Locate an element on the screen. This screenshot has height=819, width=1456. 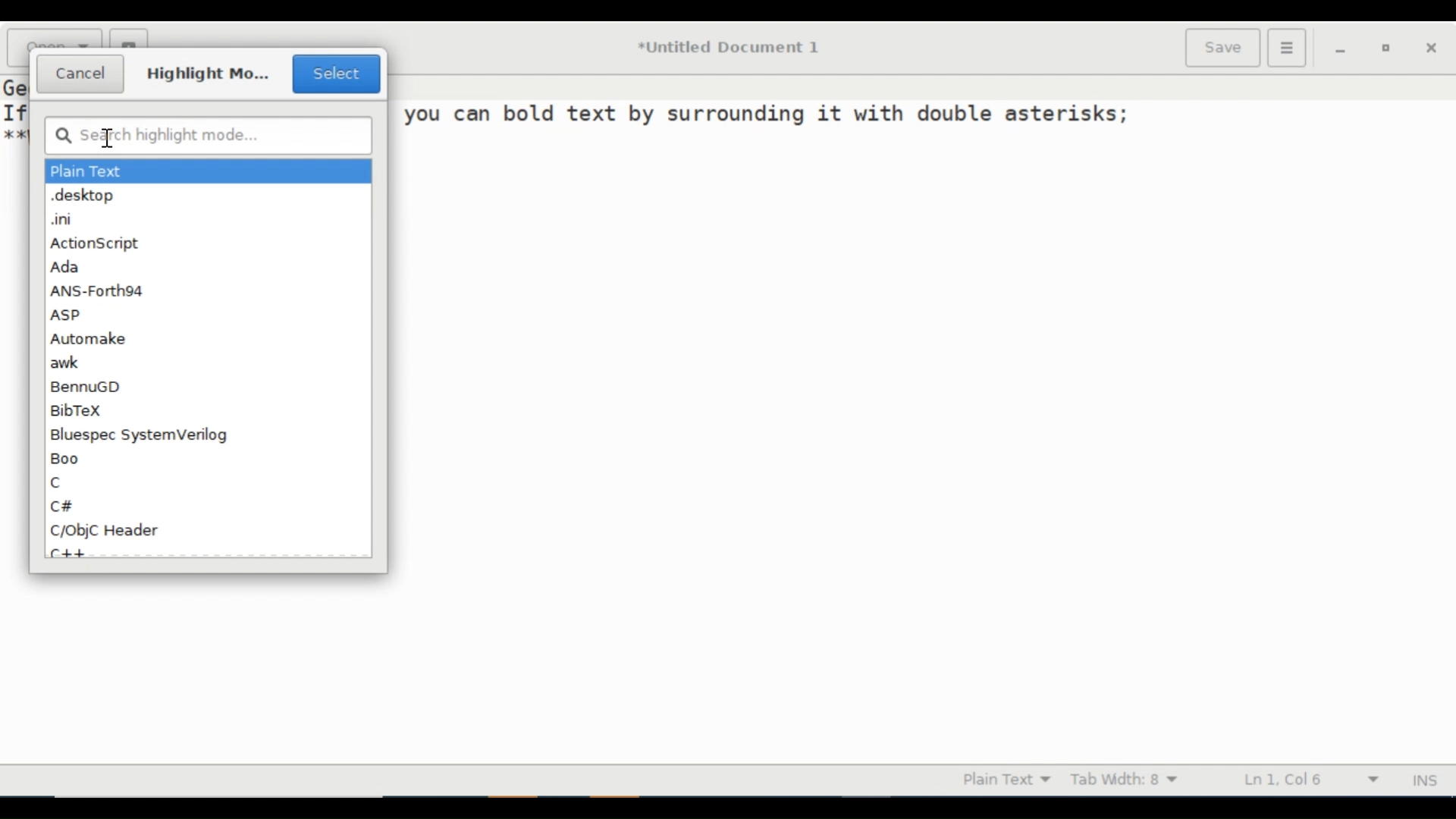
typing cursor is located at coordinates (108, 140).